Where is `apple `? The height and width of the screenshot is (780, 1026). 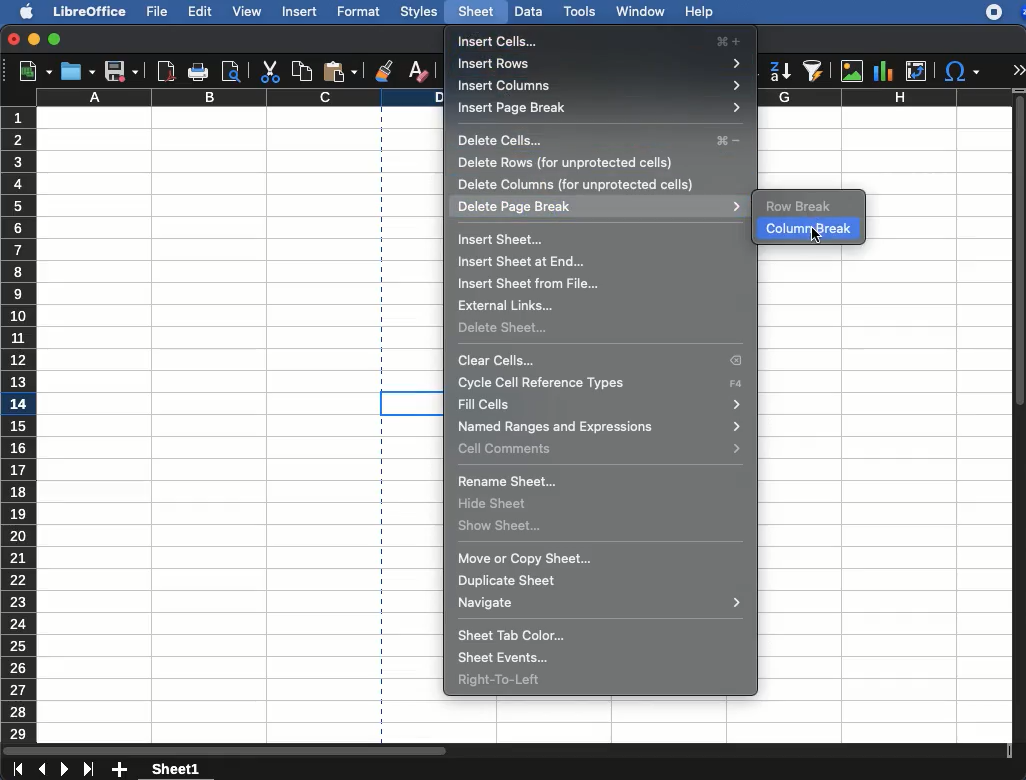 apple  is located at coordinates (21, 11).